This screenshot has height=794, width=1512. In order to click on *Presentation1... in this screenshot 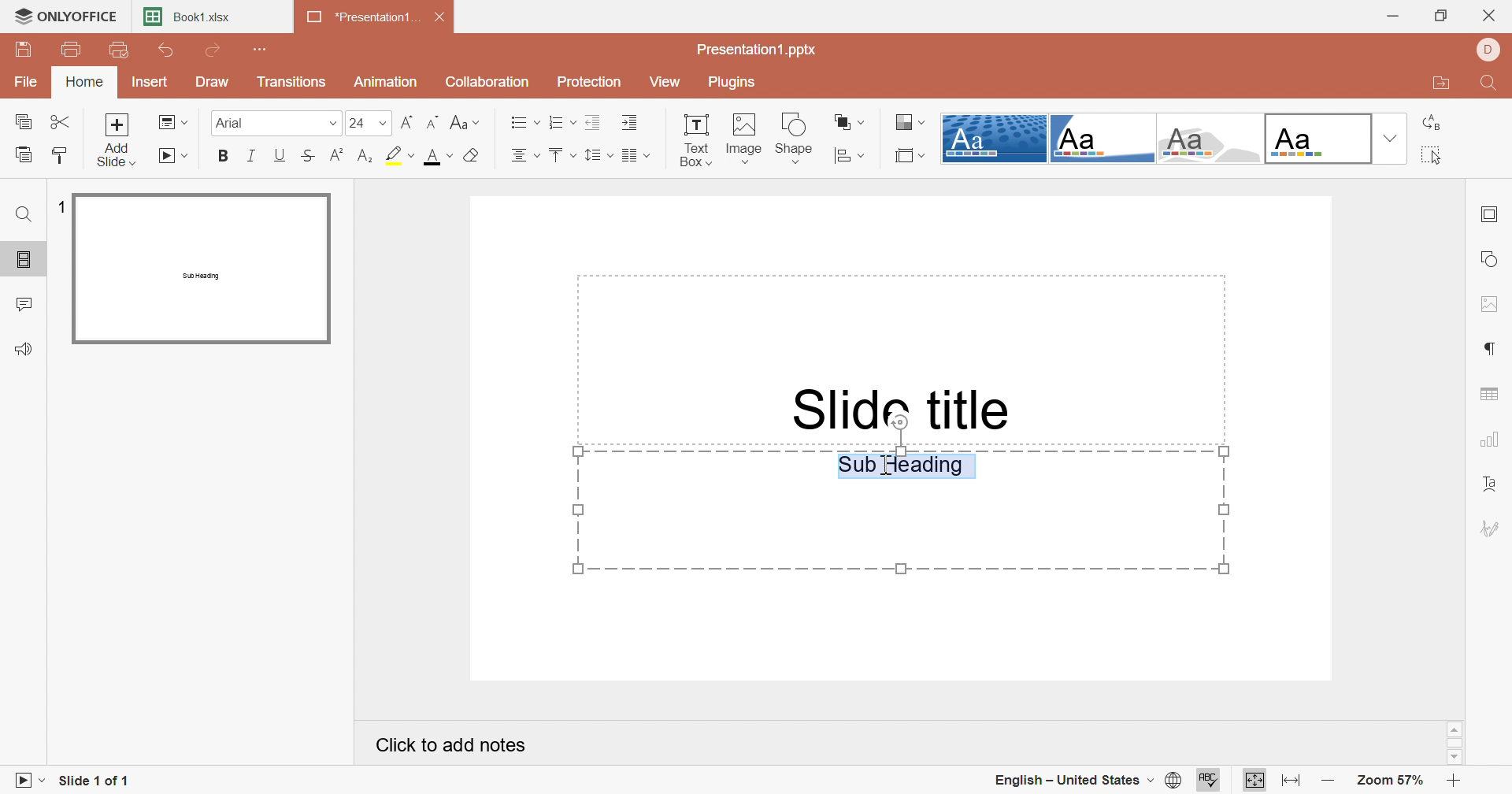, I will do `click(363, 17)`.